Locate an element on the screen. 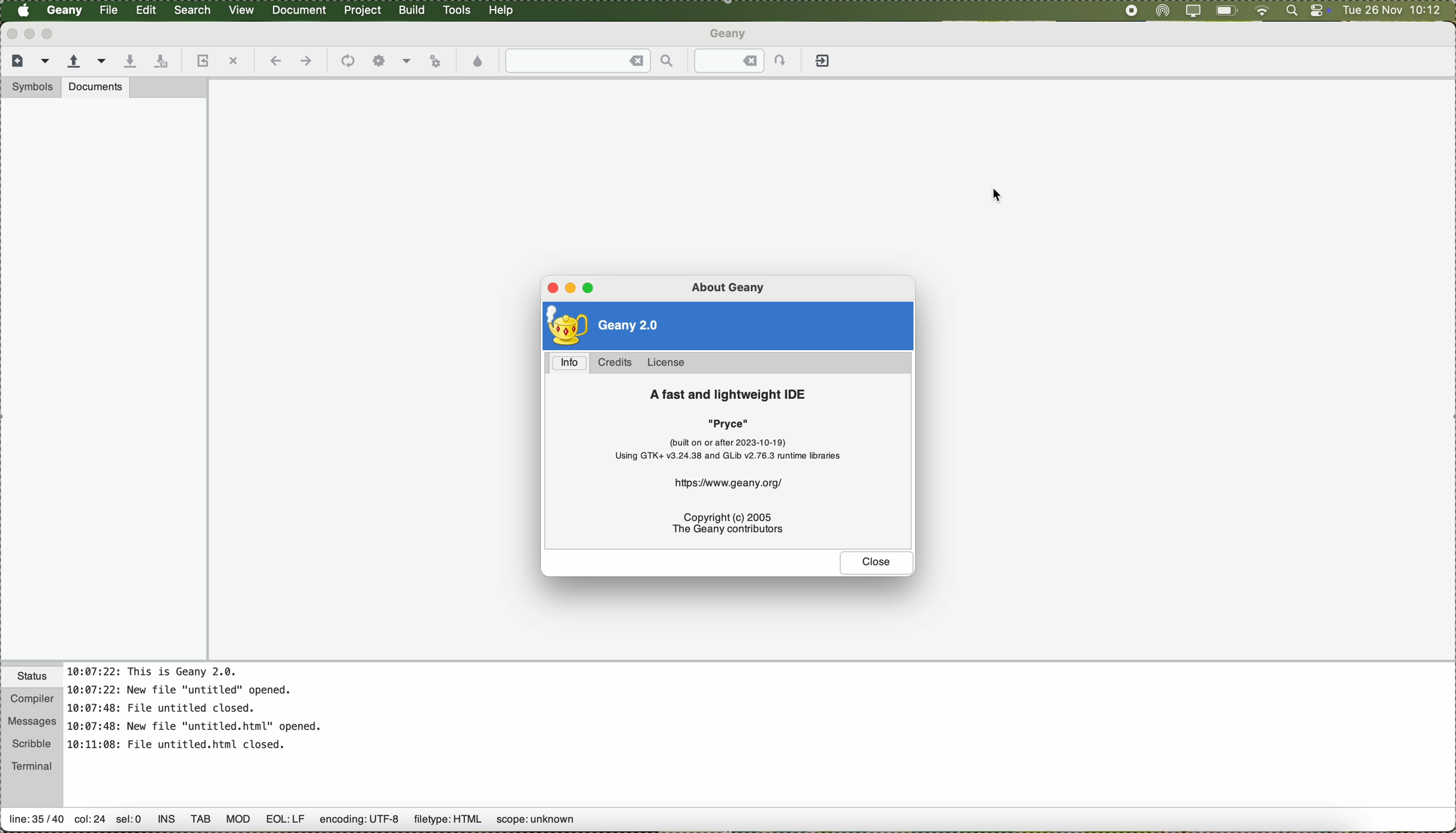 Image resolution: width=1456 pixels, height=833 pixels. save current file is located at coordinates (128, 60).